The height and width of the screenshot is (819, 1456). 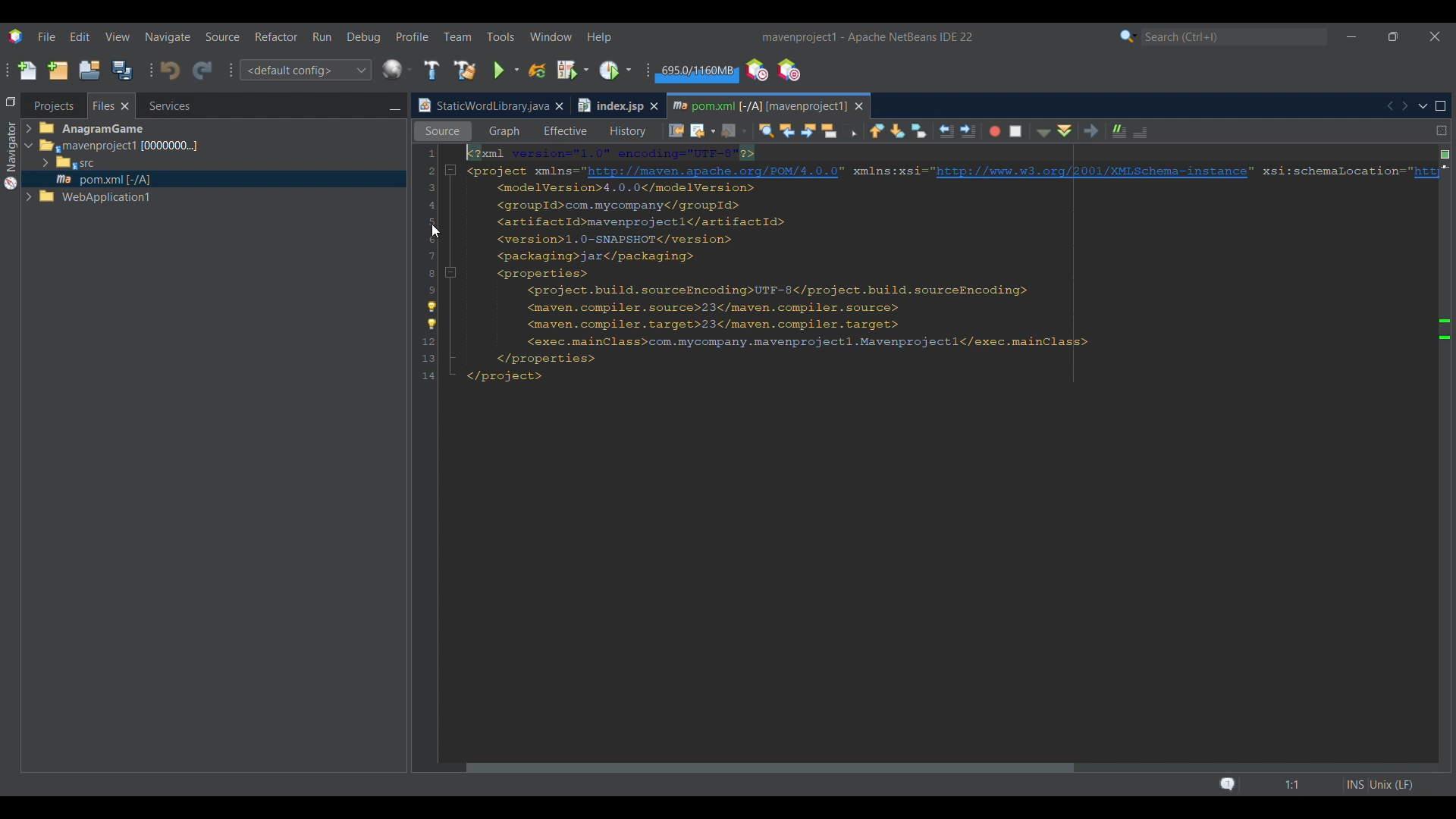 I want to click on Toggle bookmark, so click(x=919, y=130).